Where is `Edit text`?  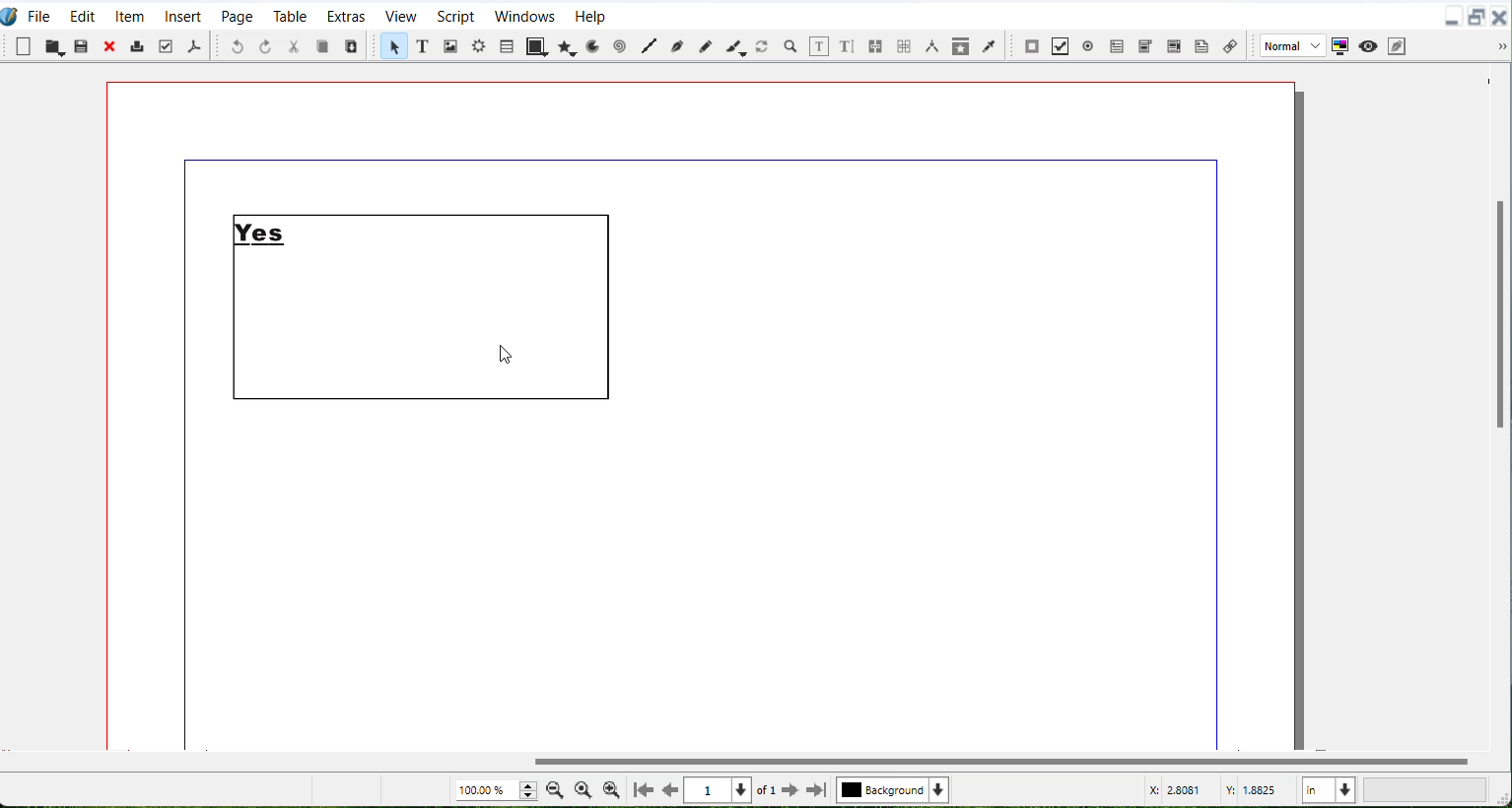
Edit text is located at coordinates (849, 45).